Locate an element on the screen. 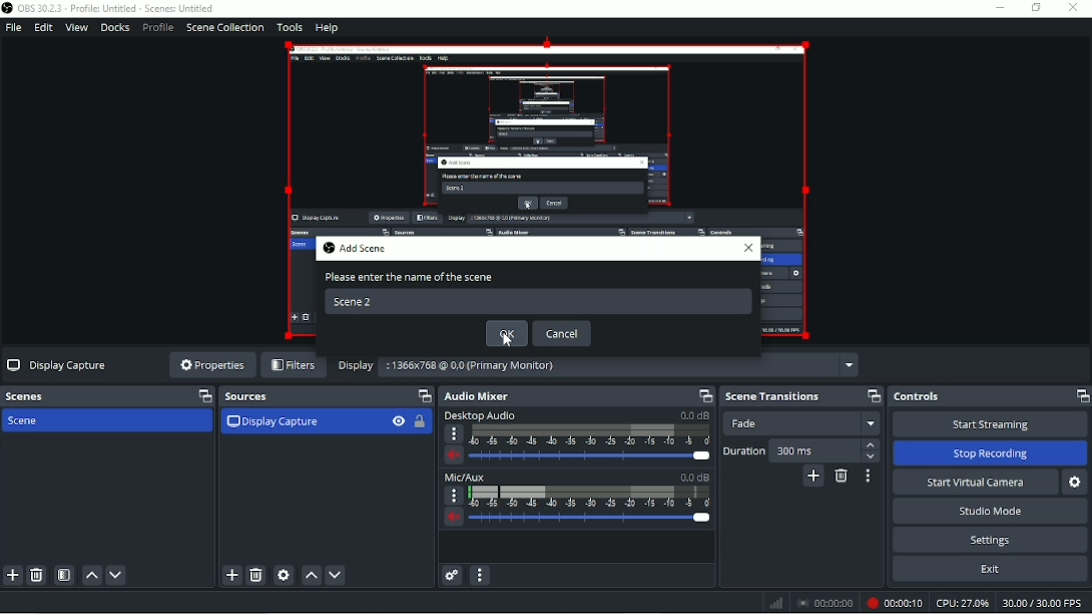 The image size is (1092, 614). Slider is located at coordinates (591, 457).